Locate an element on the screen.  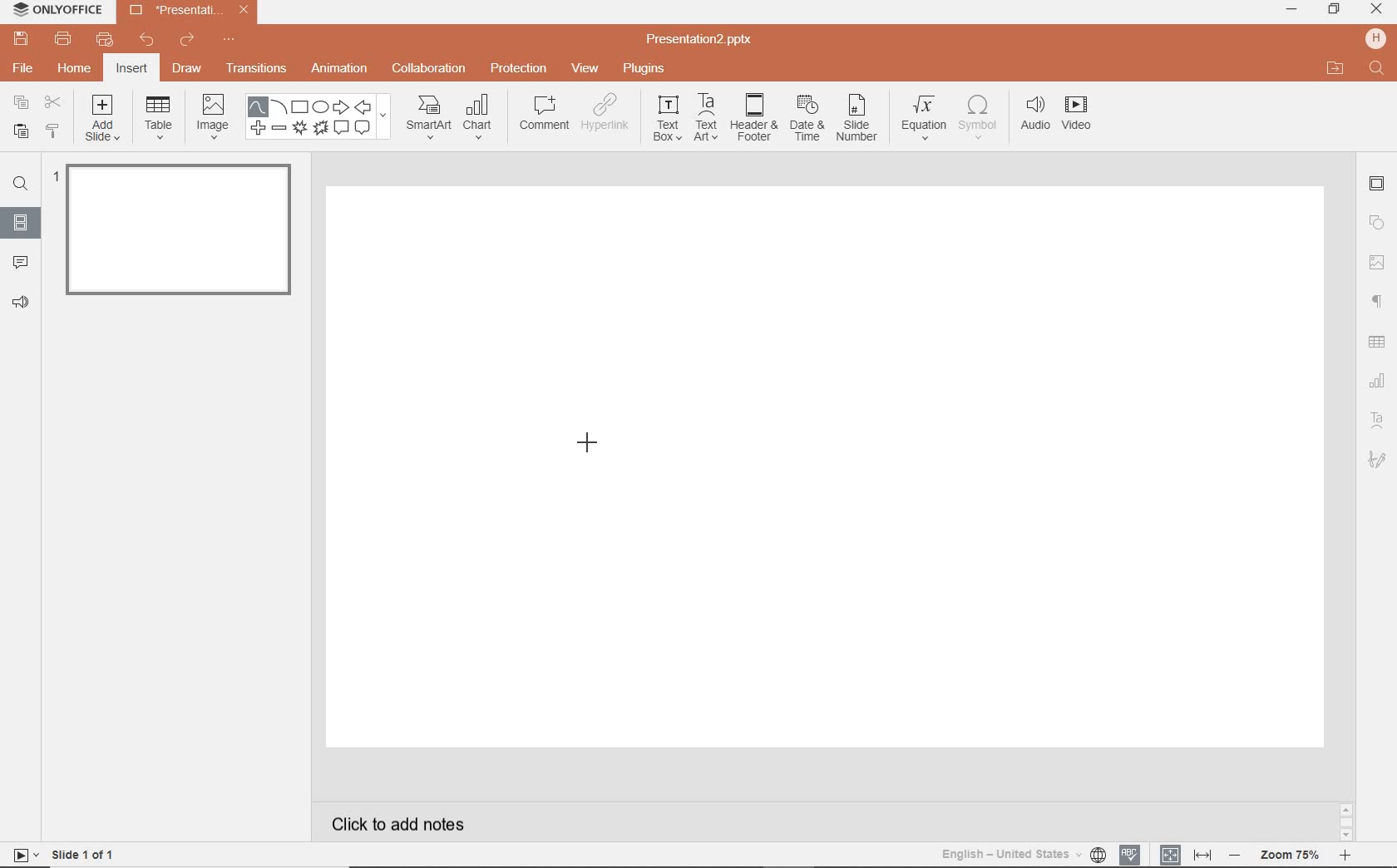
HP is located at coordinates (1374, 37).